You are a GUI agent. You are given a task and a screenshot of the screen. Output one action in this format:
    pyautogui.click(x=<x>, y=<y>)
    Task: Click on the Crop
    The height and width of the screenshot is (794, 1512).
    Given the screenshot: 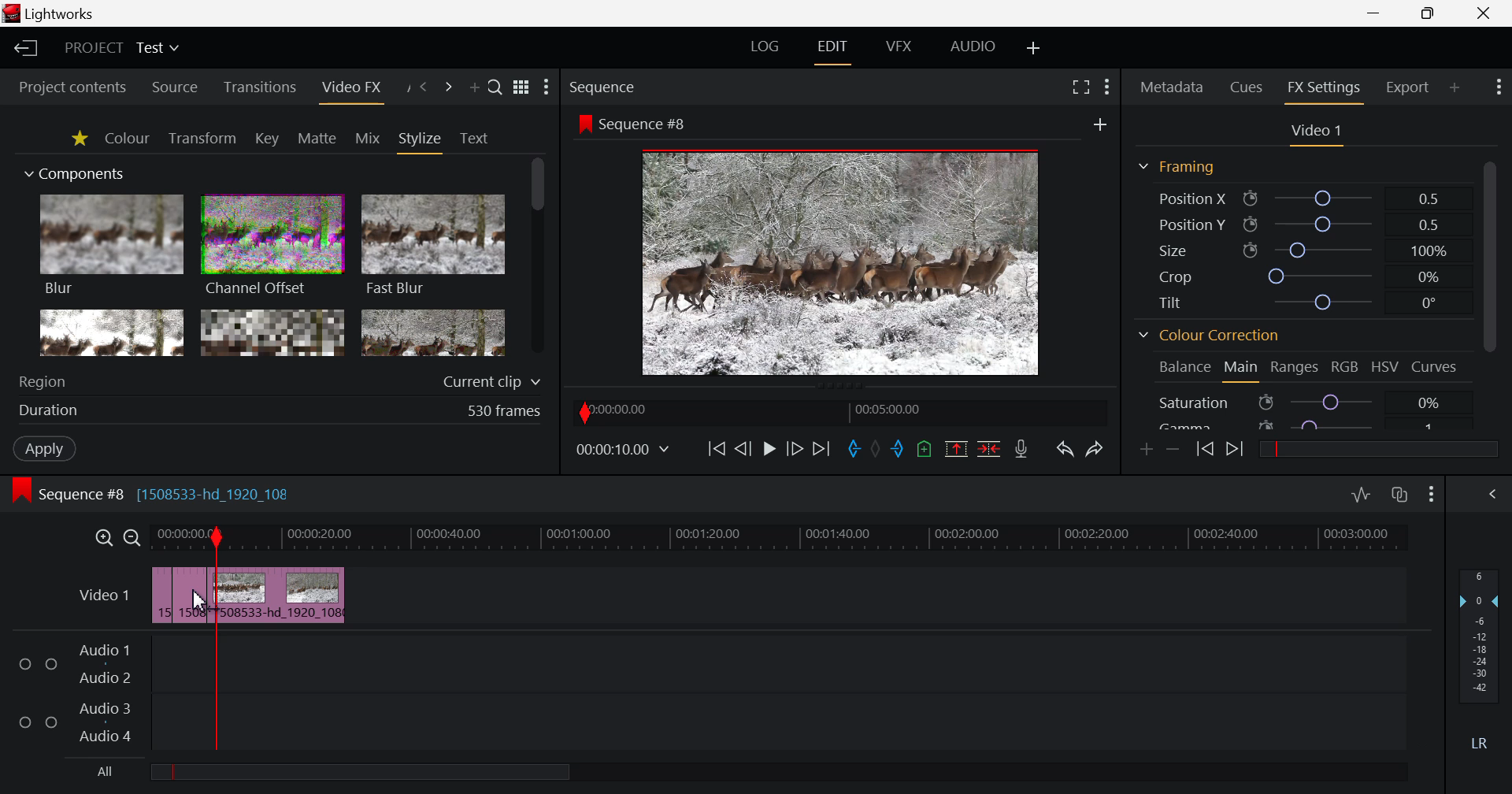 What is the action you would take?
    pyautogui.click(x=1299, y=275)
    